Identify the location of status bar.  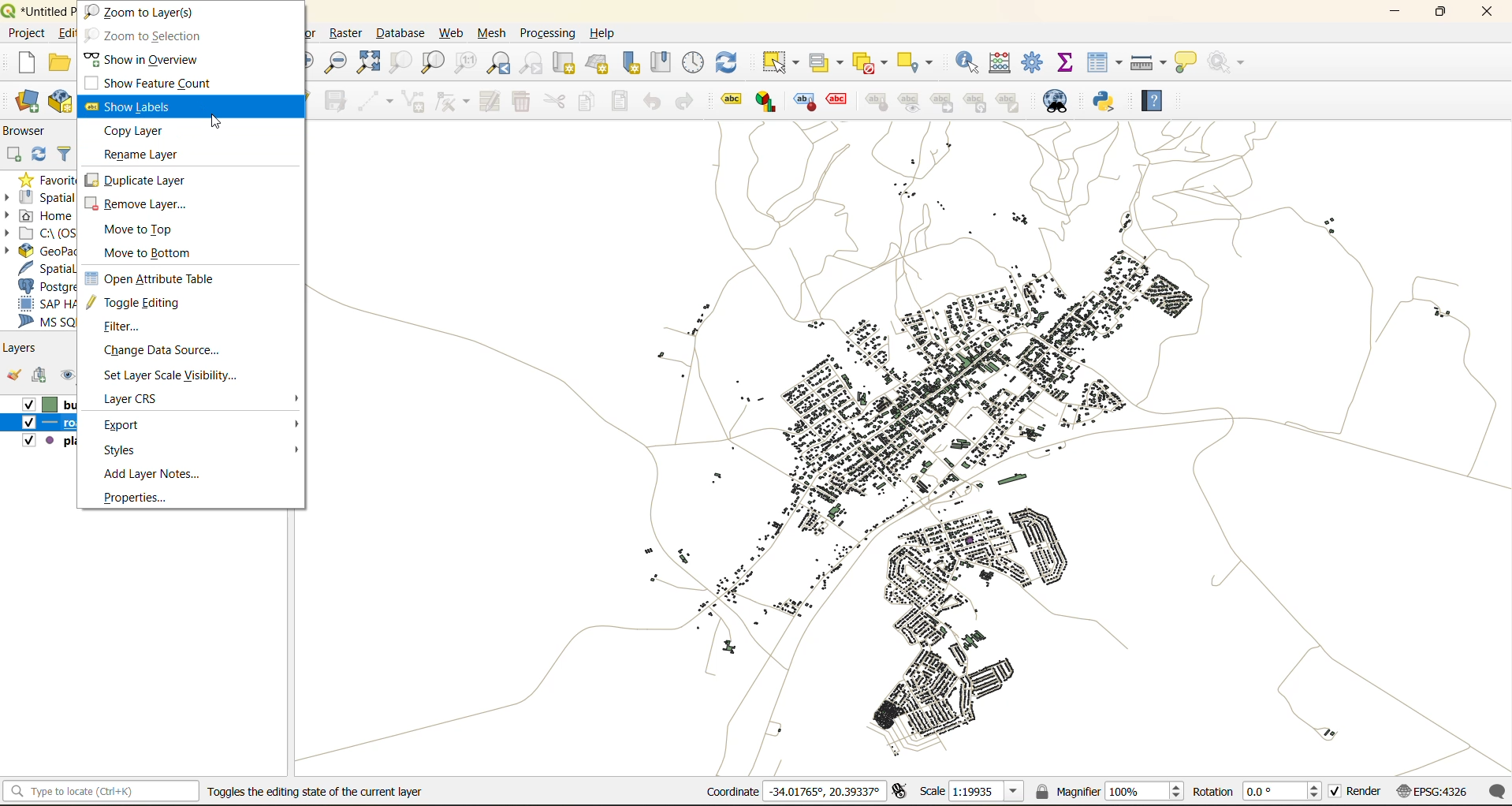
(102, 792).